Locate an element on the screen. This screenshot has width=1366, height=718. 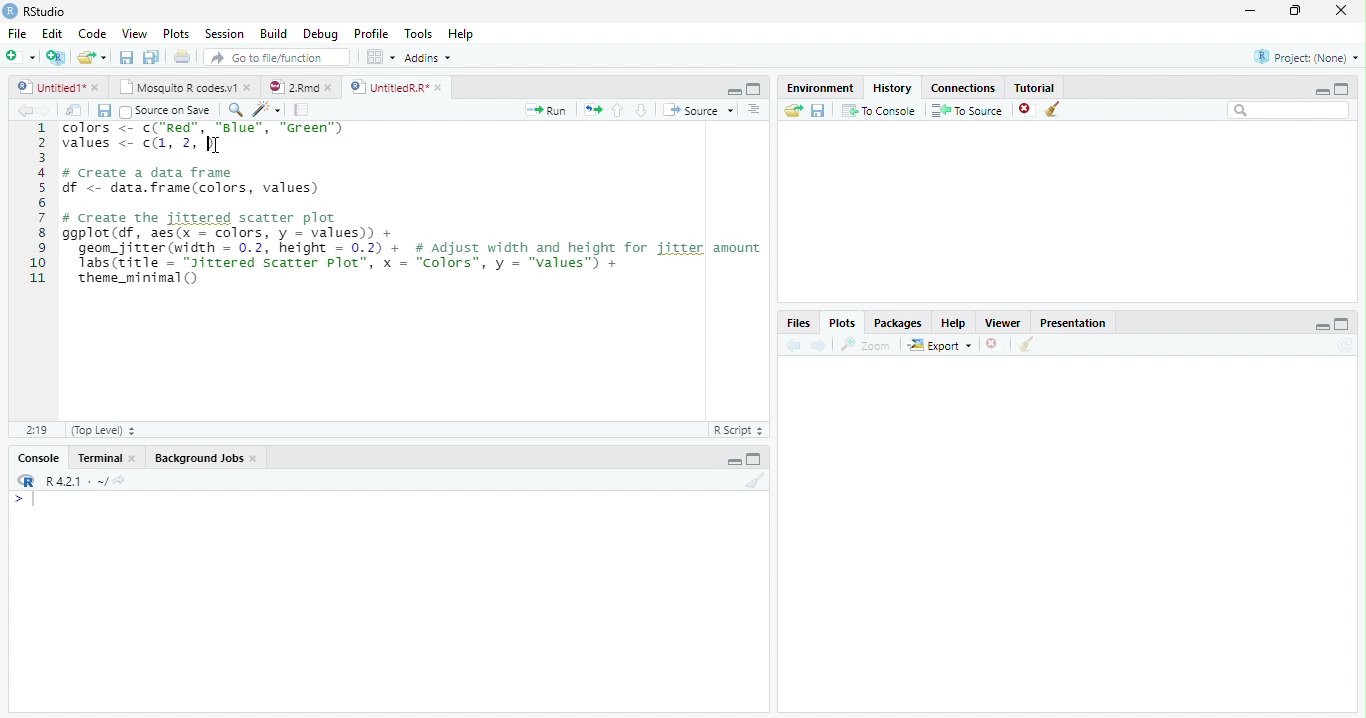
close is located at coordinates (254, 458).